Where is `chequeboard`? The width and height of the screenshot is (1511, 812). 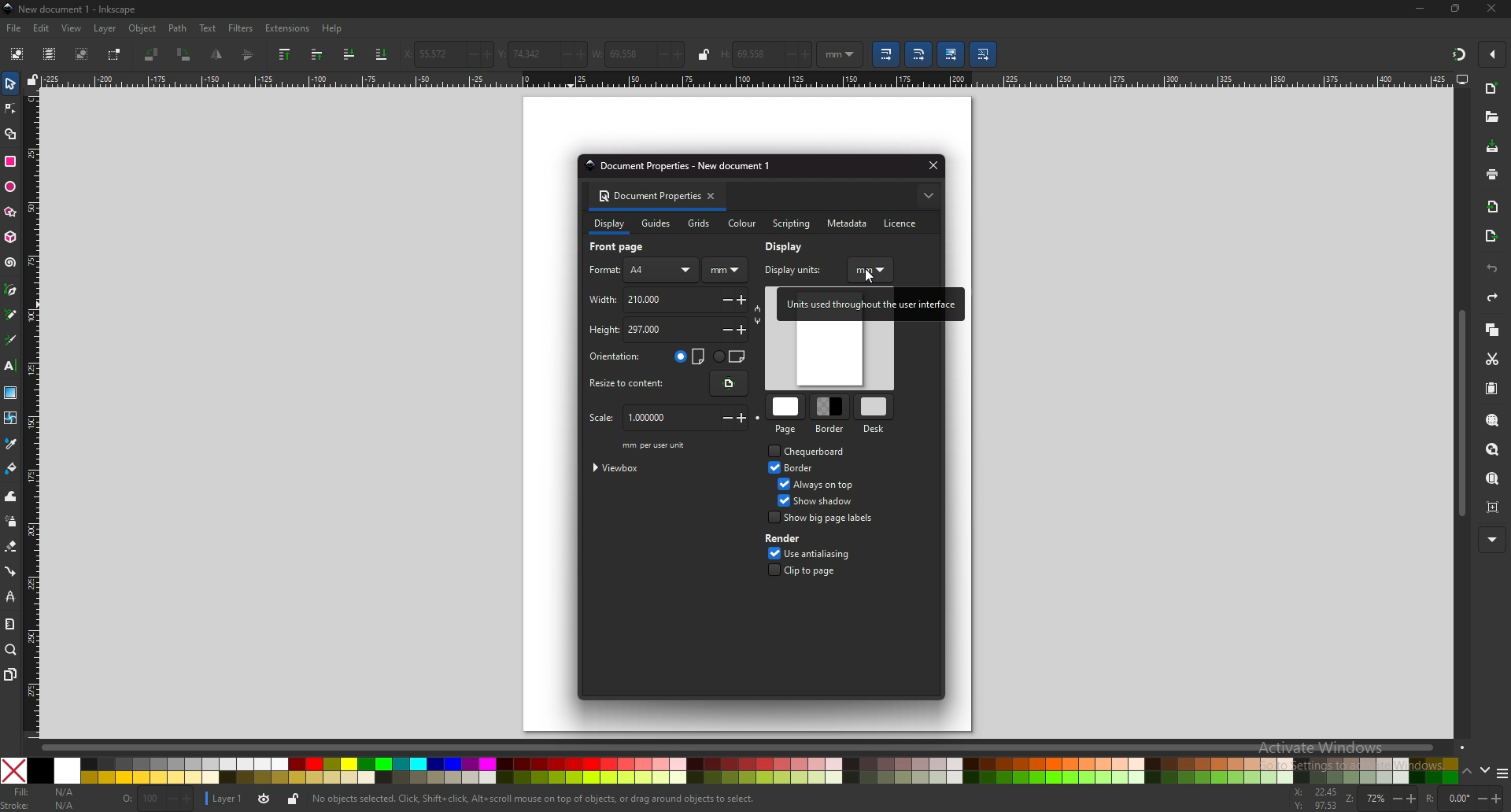 chequeboard is located at coordinates (819, 451).